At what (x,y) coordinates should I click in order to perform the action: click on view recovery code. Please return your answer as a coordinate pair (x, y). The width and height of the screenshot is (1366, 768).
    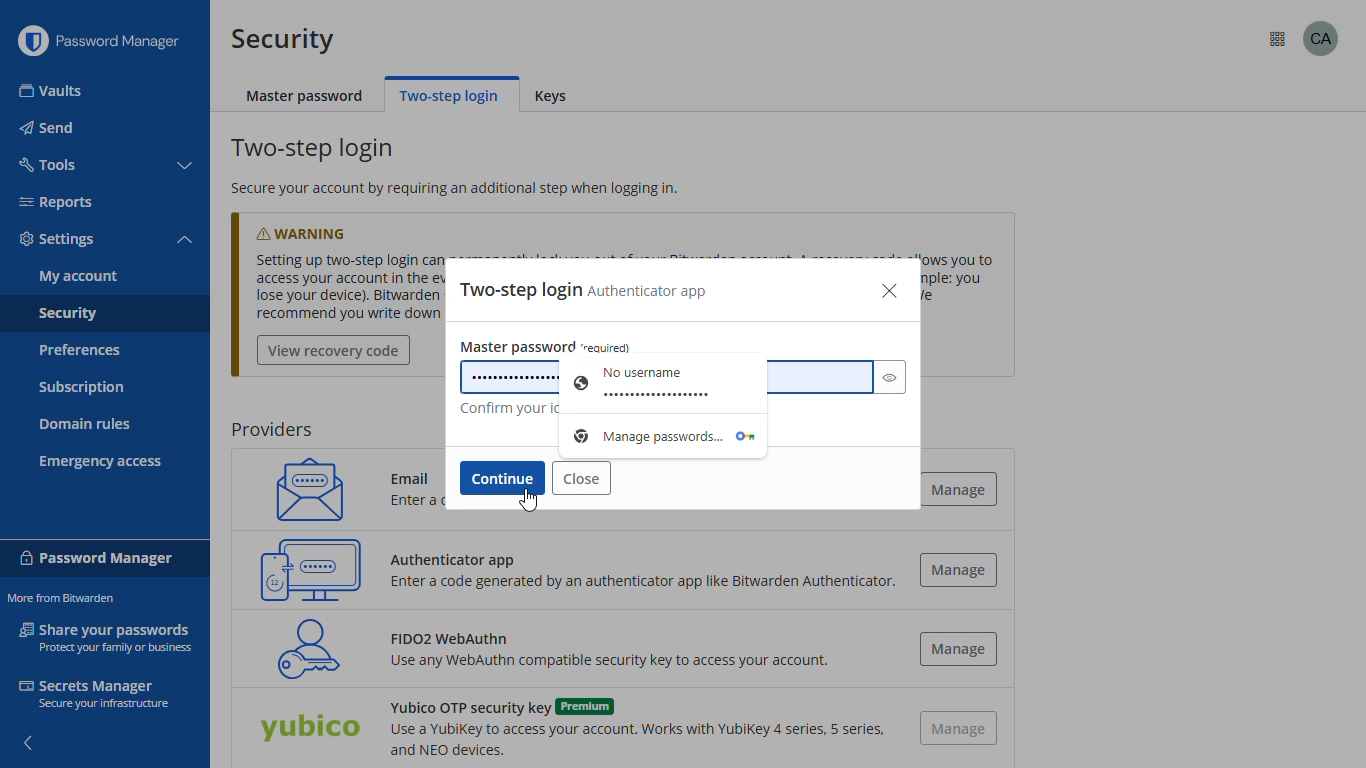
    Looking at the image, I should click on (334, 351).